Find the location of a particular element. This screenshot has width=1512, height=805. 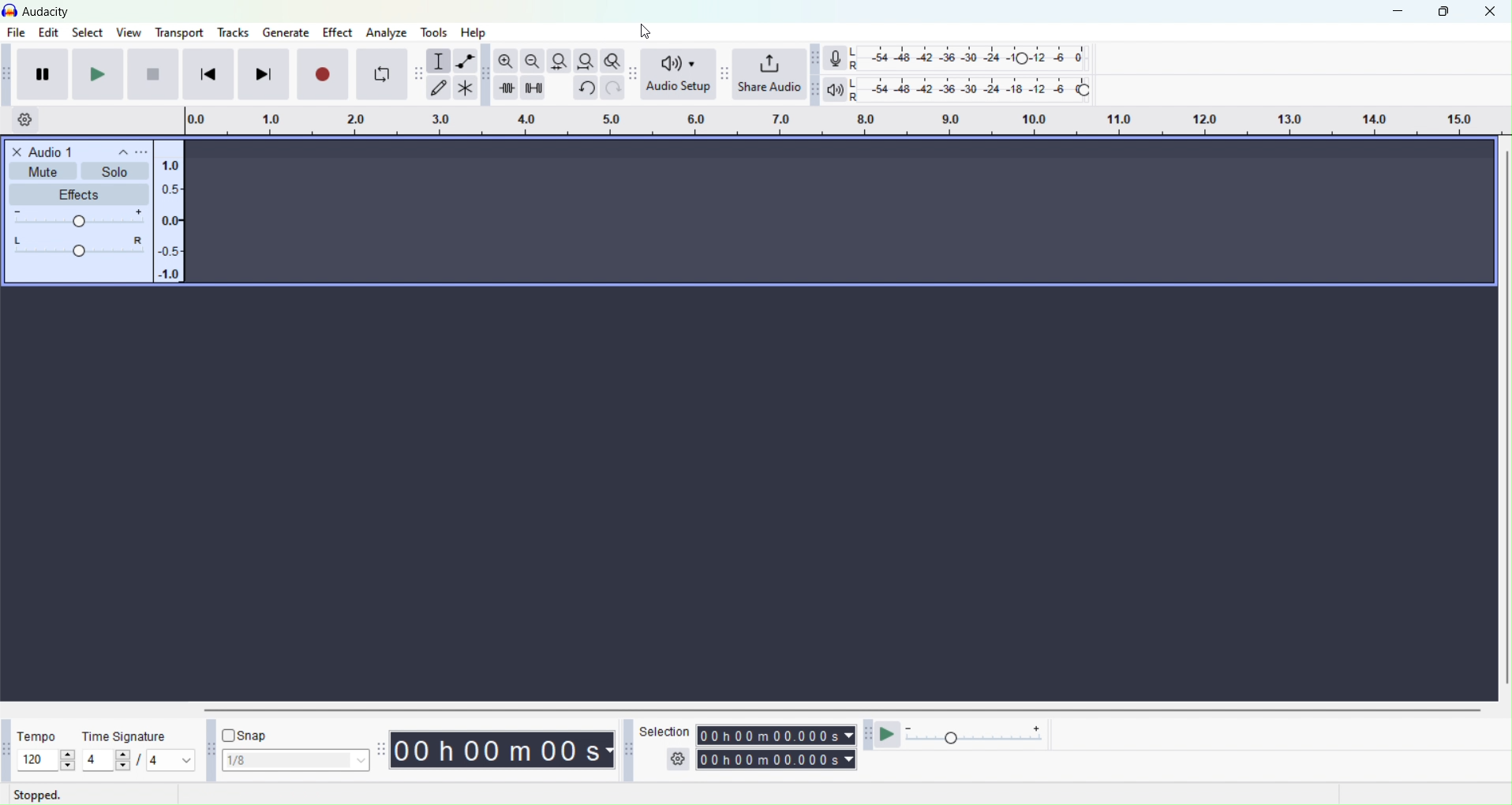

close is located at coordinates (15, 151).